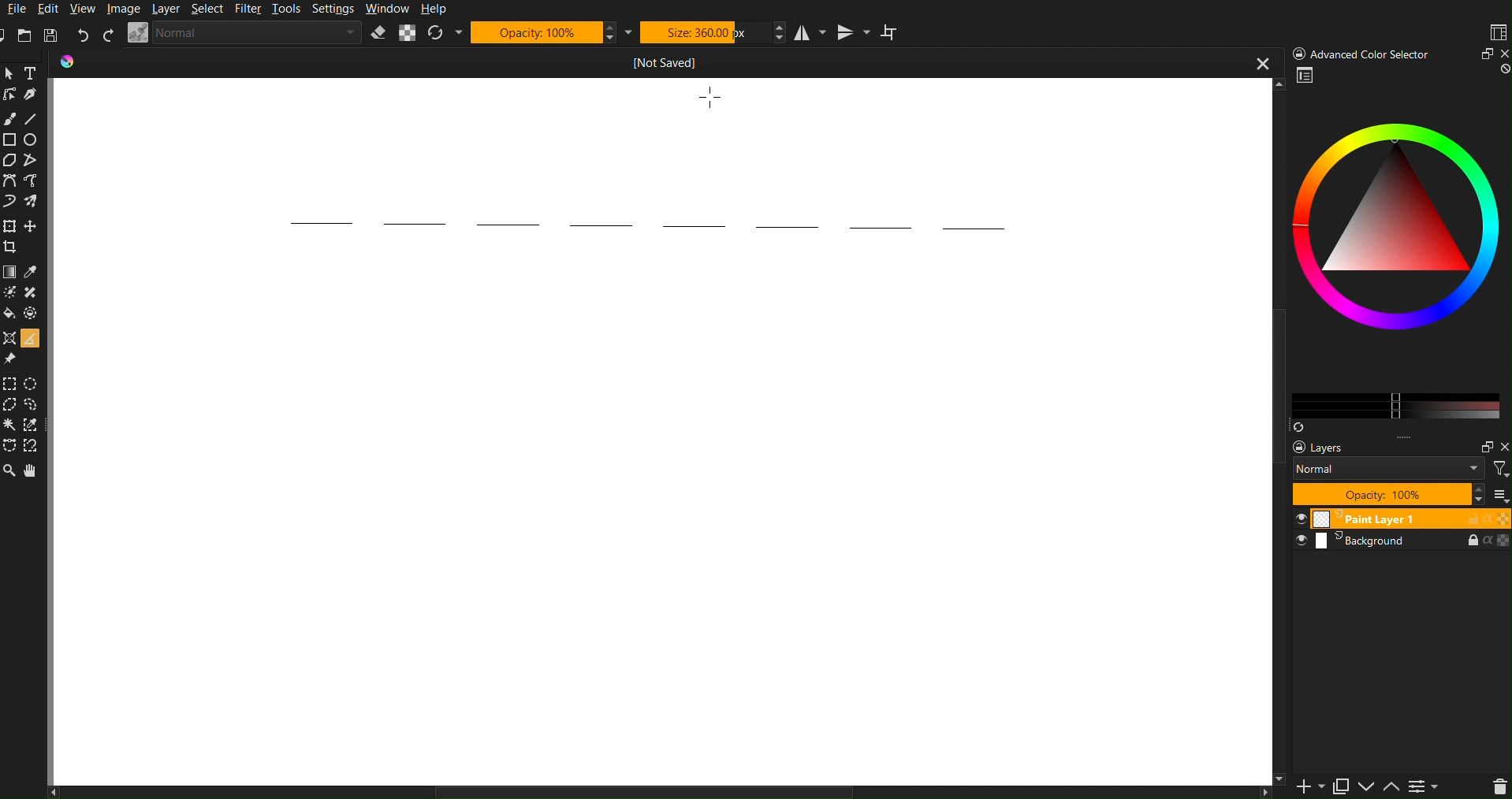 The width and height of the screenshot is (1512, 799). What do you see at coordinates (1396, 248) in the screenshot?
I see `Advanced Color Selector` at bounding box center [1396, 248].